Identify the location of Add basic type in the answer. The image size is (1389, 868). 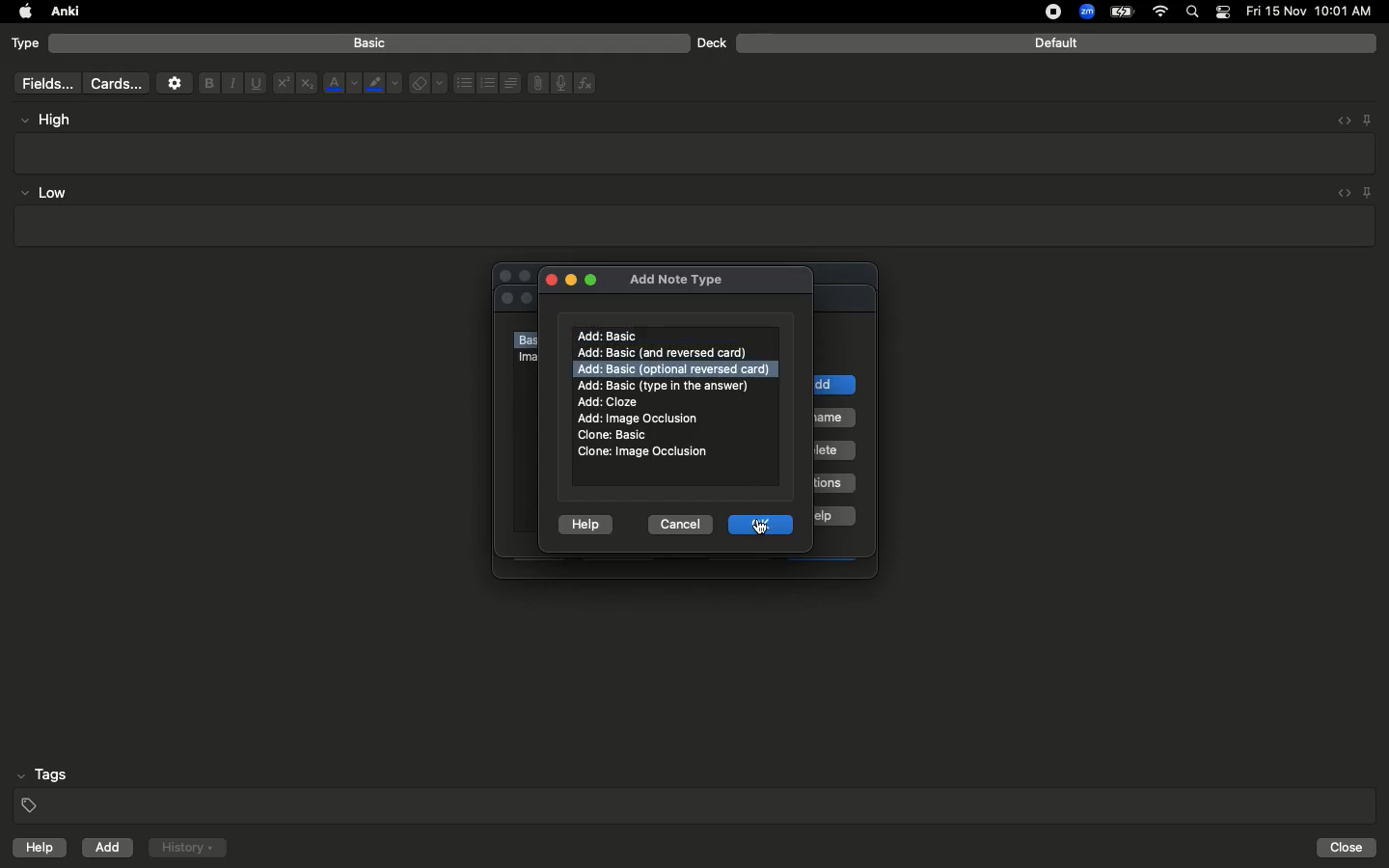
(666, 385).